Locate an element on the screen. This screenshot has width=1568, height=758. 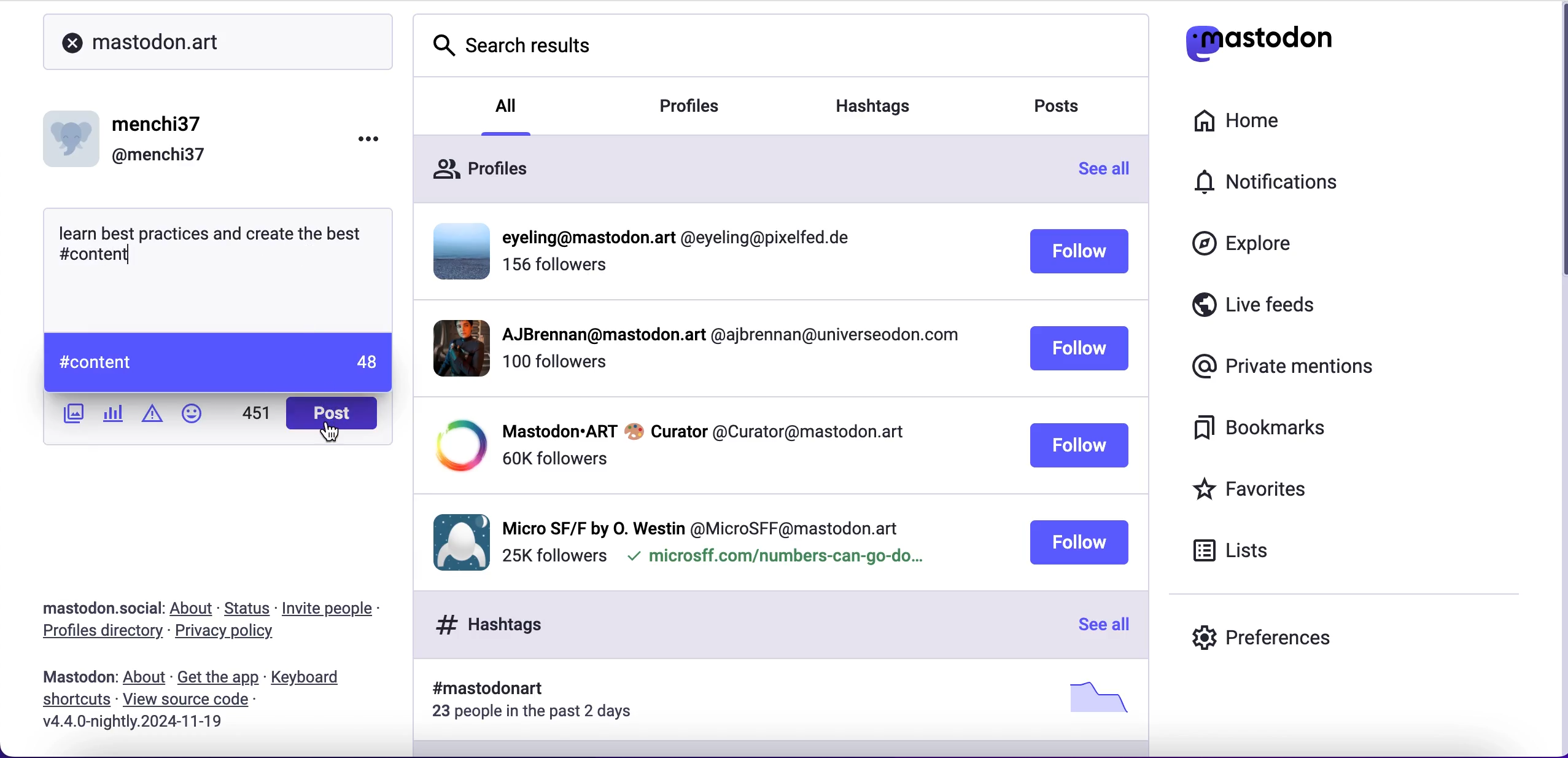
bookmarks is located at coordinates (1269, 432).